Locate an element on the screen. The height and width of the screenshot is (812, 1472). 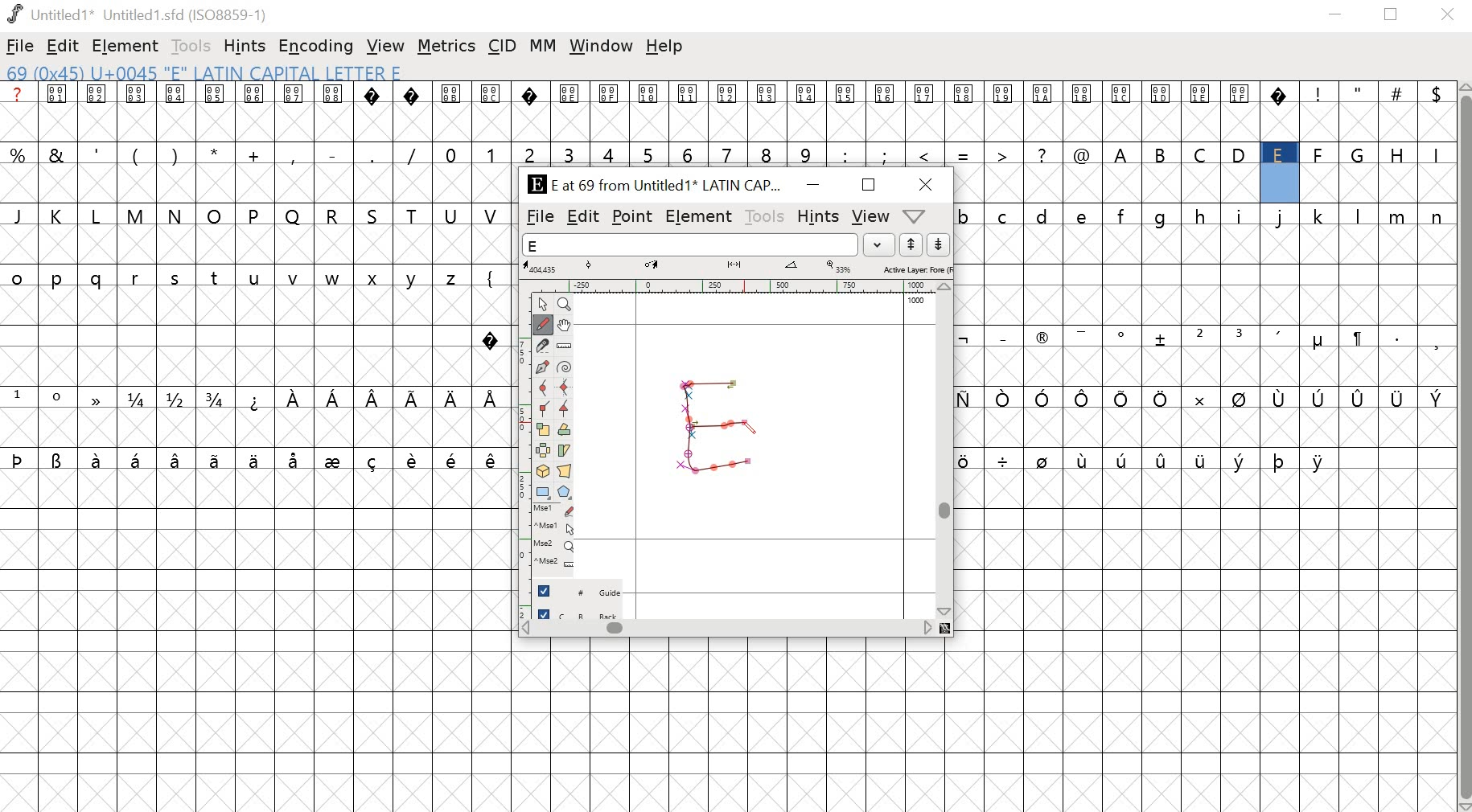
Pen is located at coordinates (544, 367).